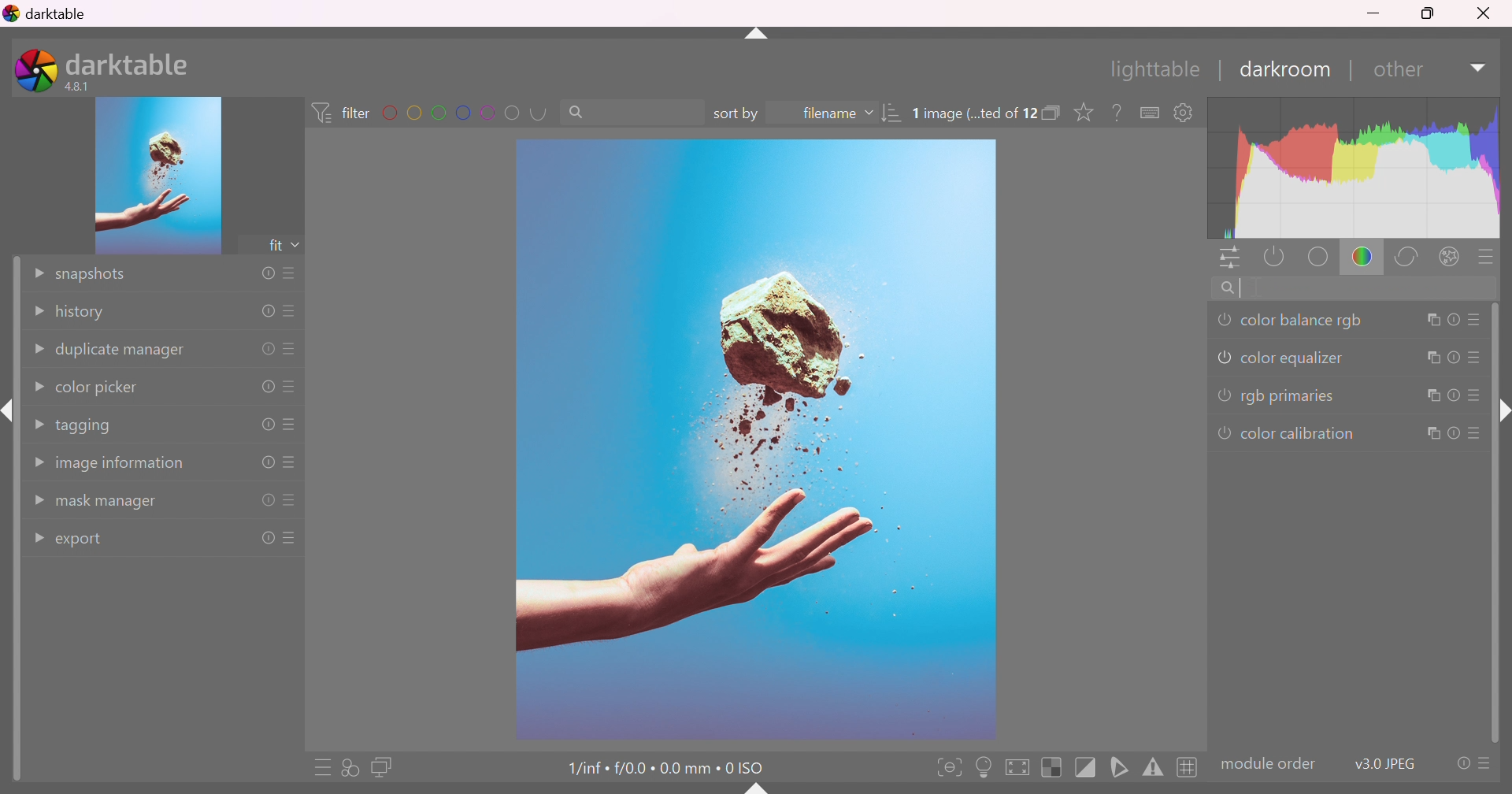 This screenshot has width=1512, height=794. Describe the element at coordinates (261, 539) in the screenshot. I see `reset` at that location.